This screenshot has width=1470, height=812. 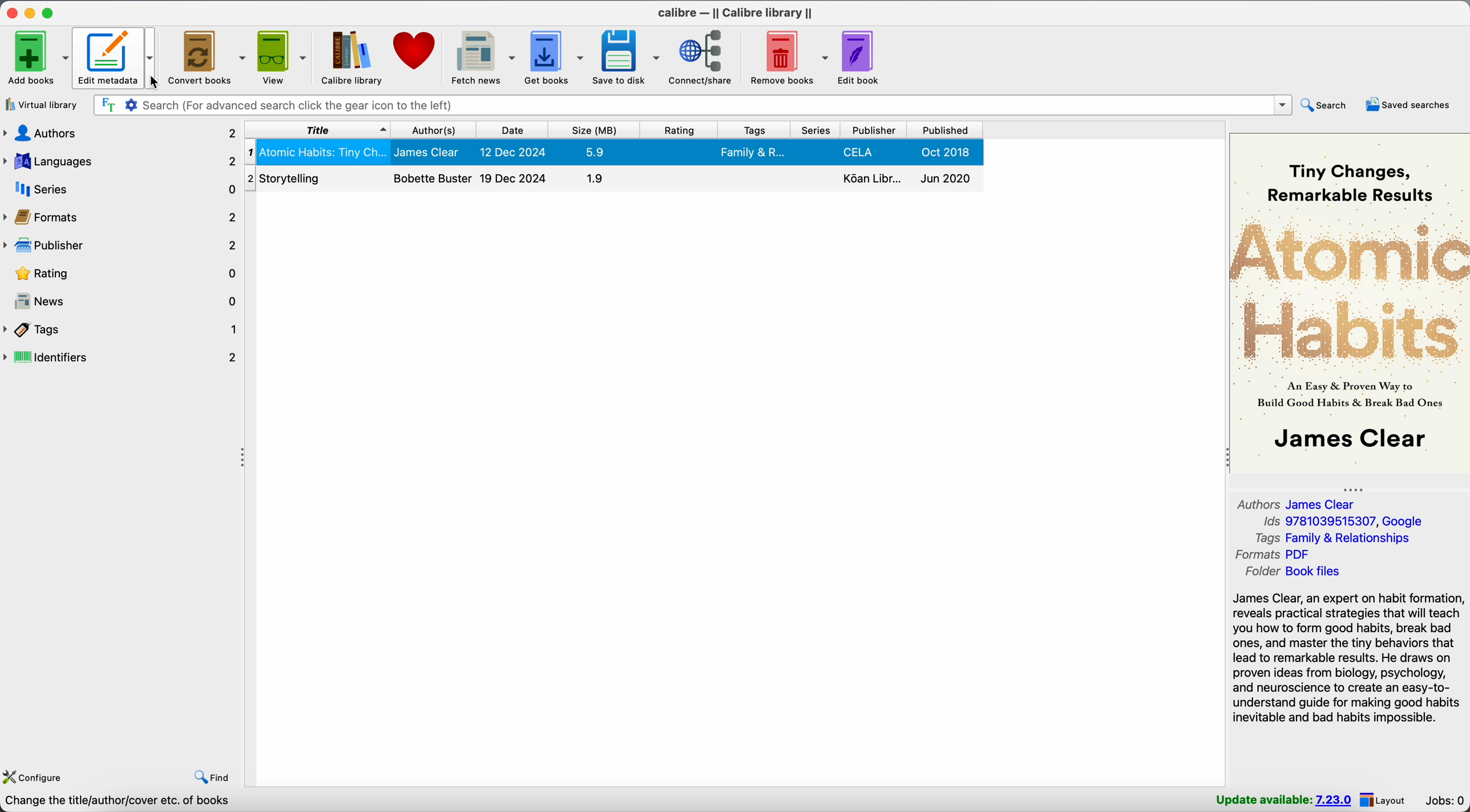 I want to click on donate, so click(x=416, y=51).